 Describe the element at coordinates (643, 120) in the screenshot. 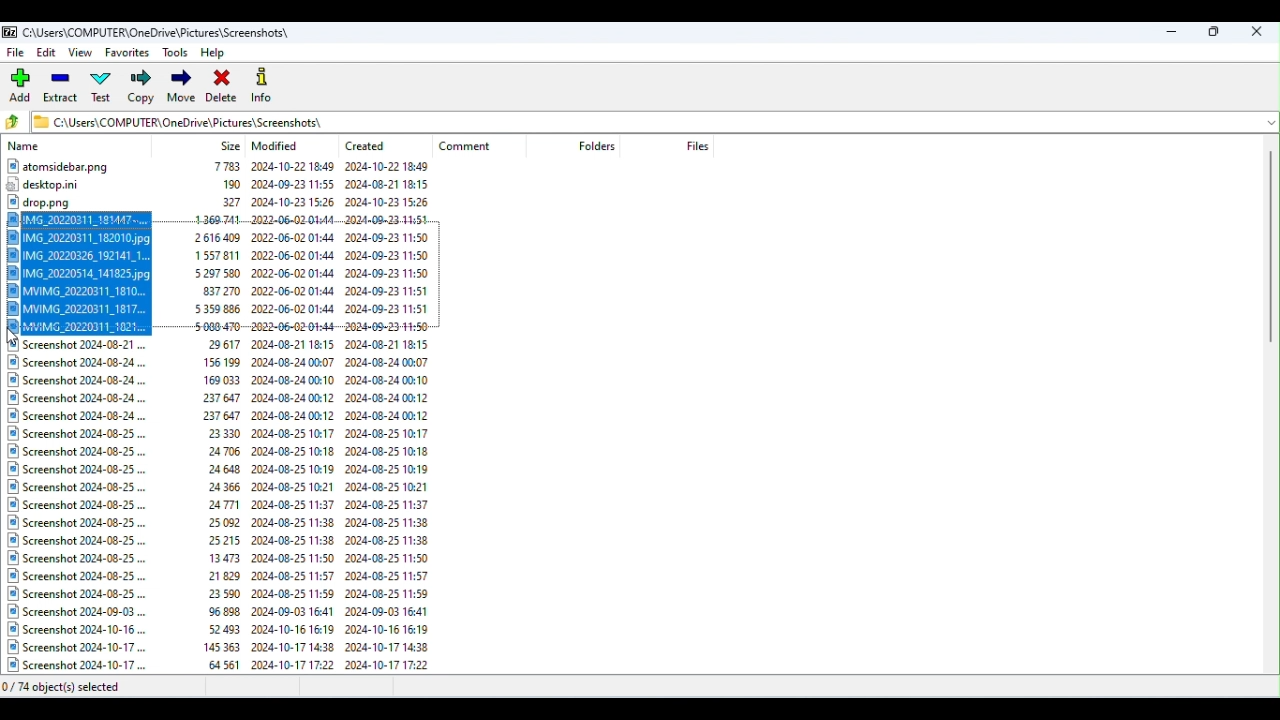

I see `File address bar` at that location.